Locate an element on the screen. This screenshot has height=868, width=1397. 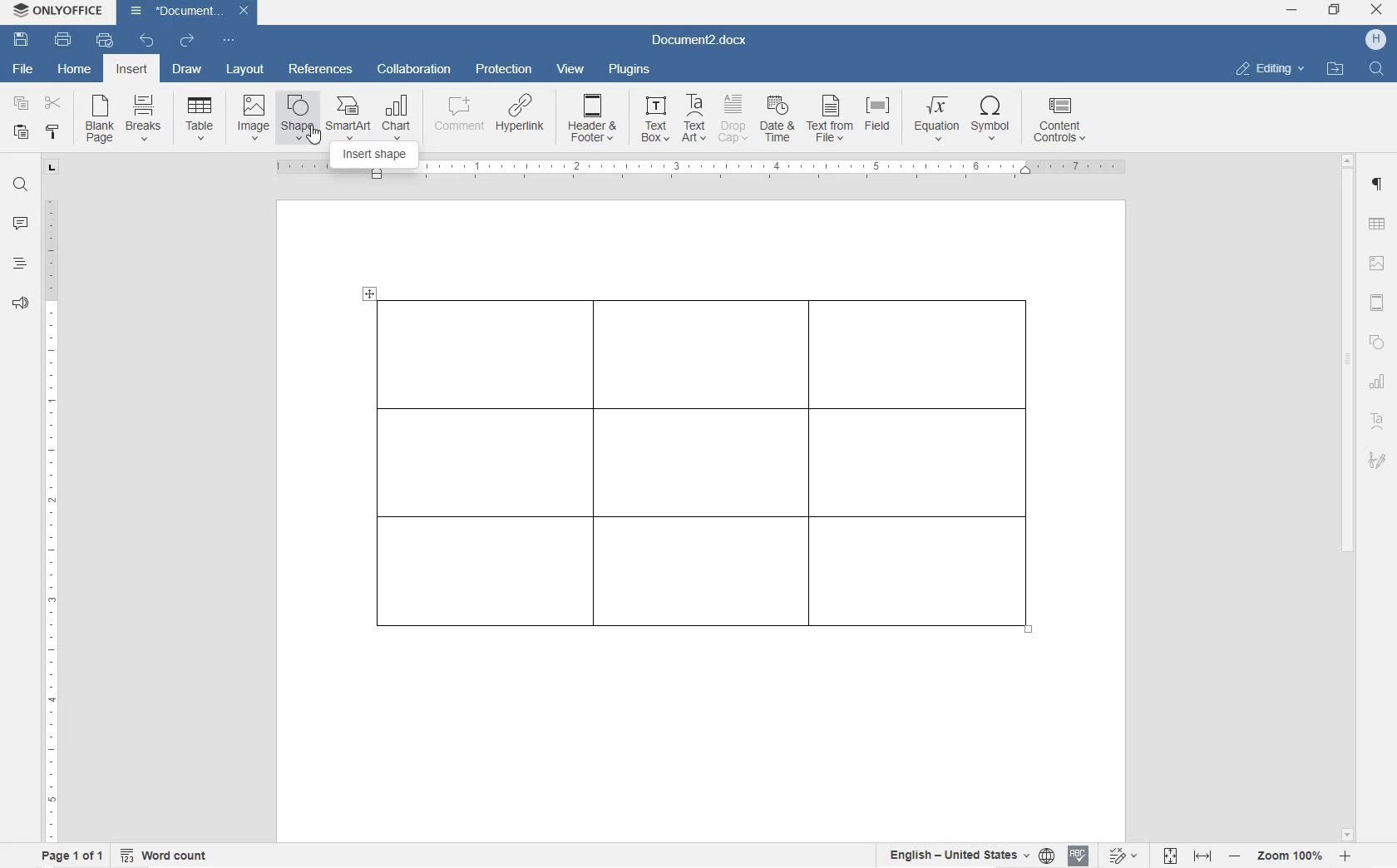
undo is located at coordinates (146, 41).